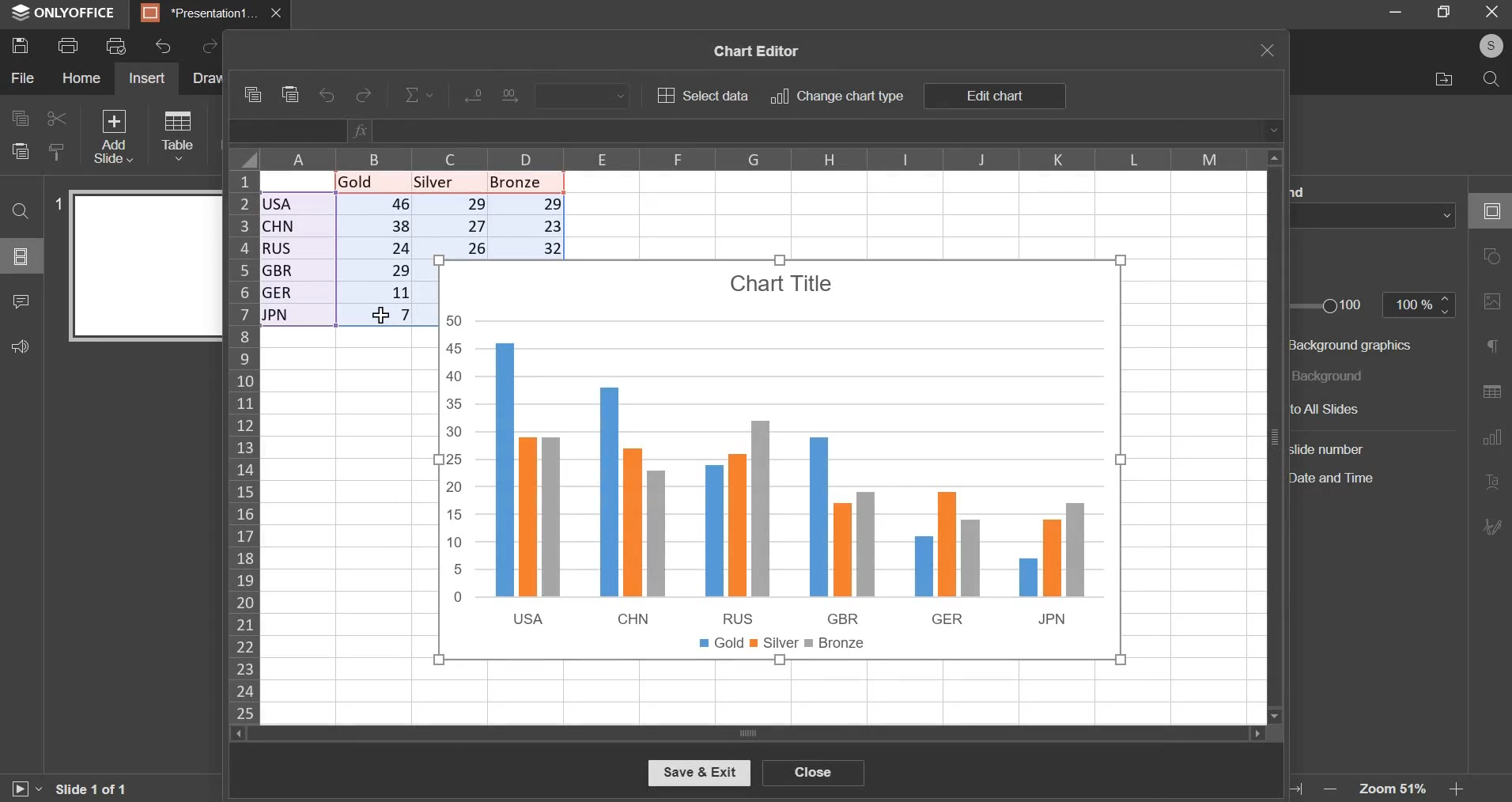 Image resolution: width=1512 pixels, height=802 pixels. Describe the element at coordinates (251, 94) in the screenshot. I see `copy` at that location.